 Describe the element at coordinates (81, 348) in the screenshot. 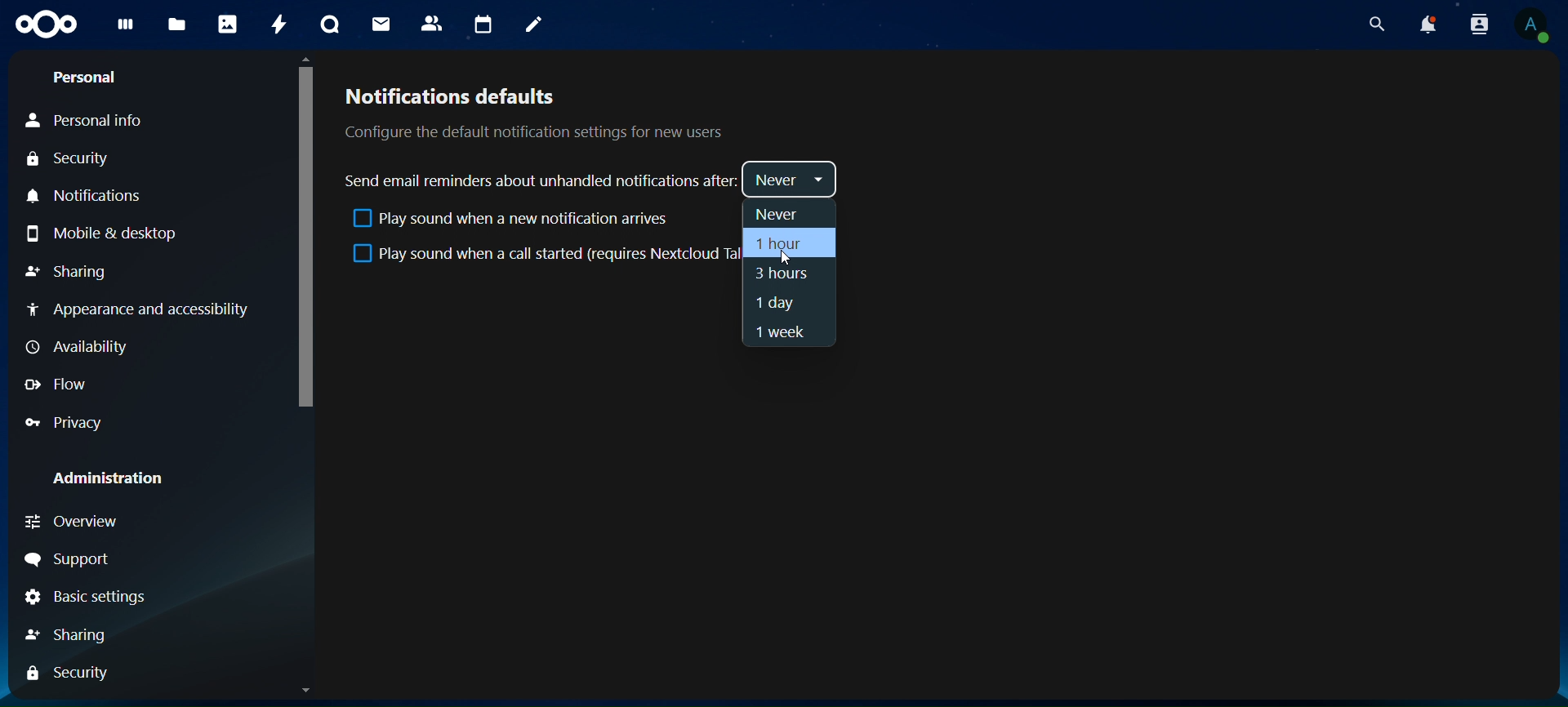

I see `Availability` at that location.